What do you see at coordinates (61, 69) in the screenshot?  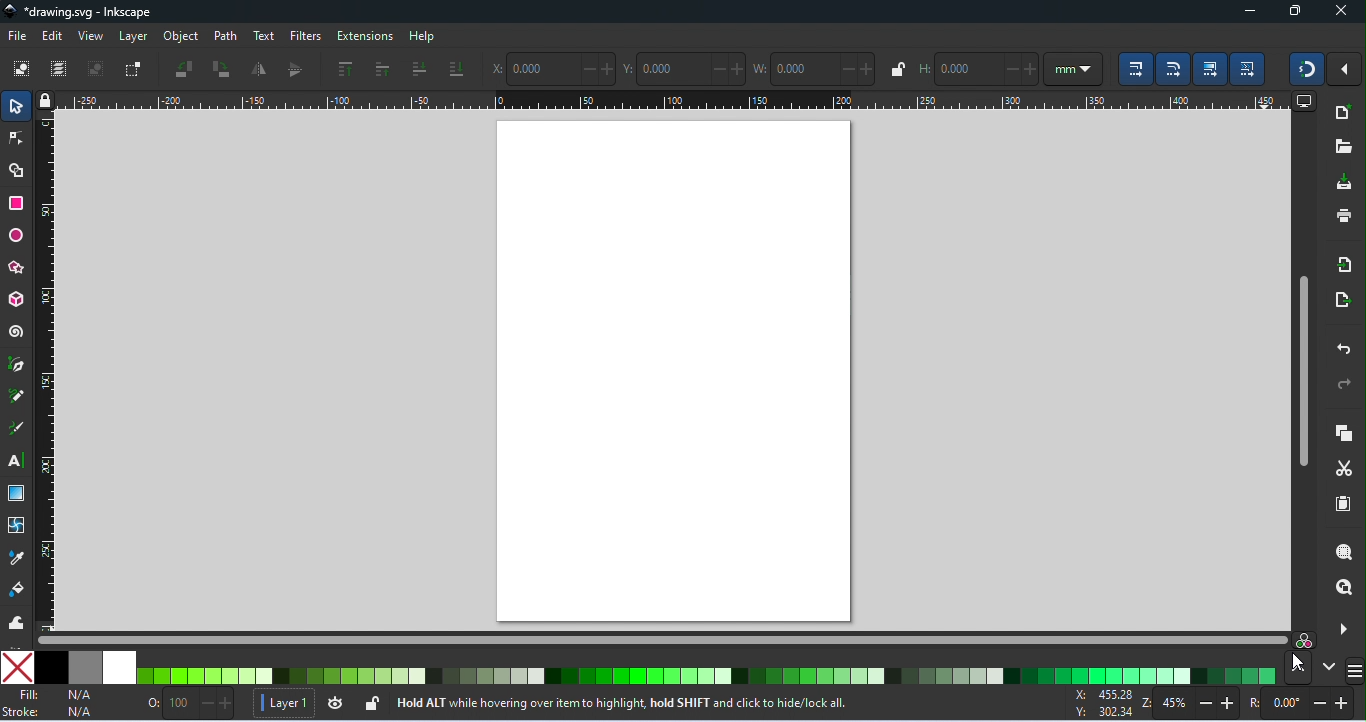 I see `select all in all layers` at bounding box center [61, 69].